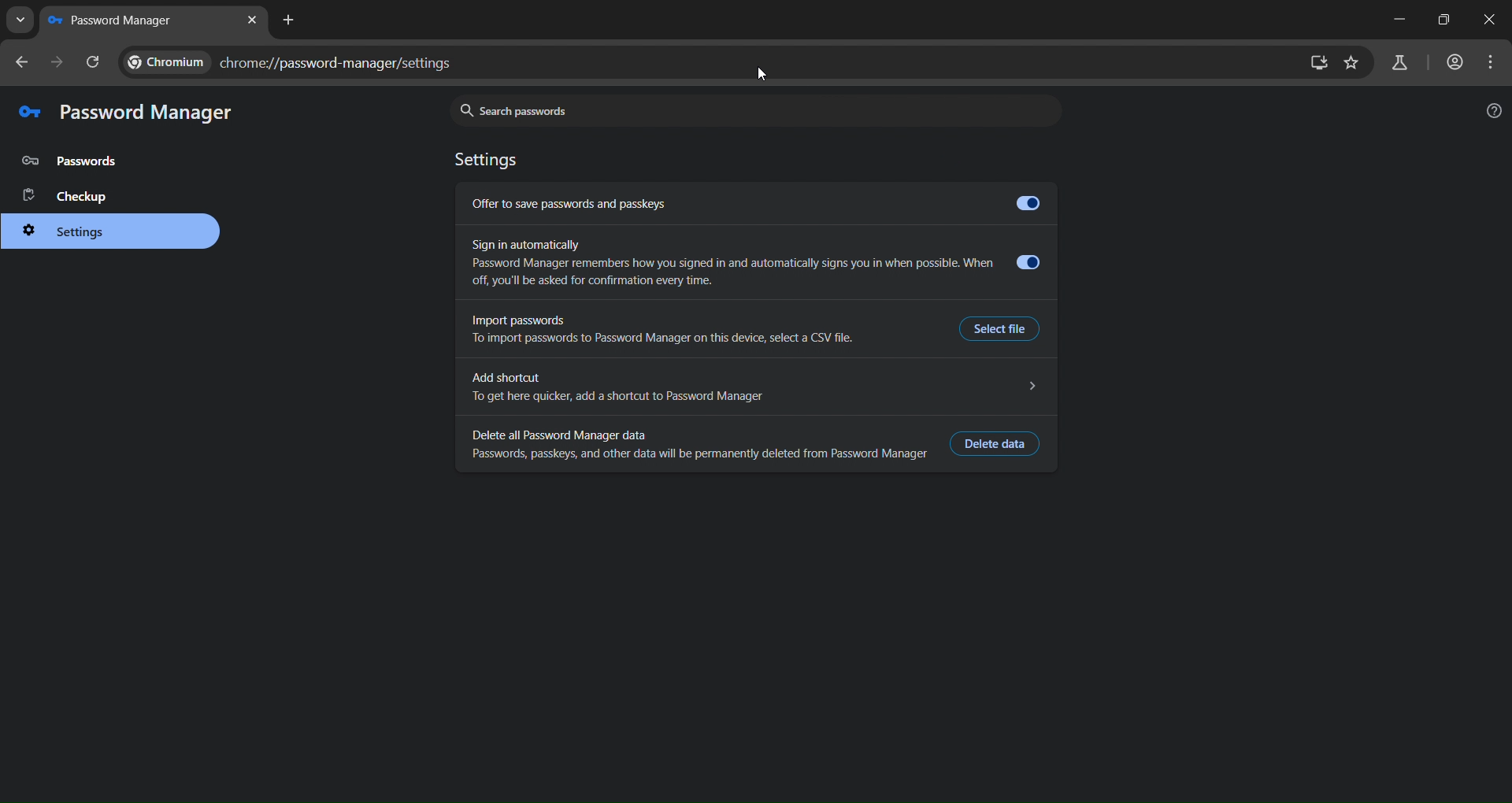 This screenshot has width=1512, height=803. Describe the element at coordinates (1352, 65) in the screenshot. I see `bookmark page` at that location.